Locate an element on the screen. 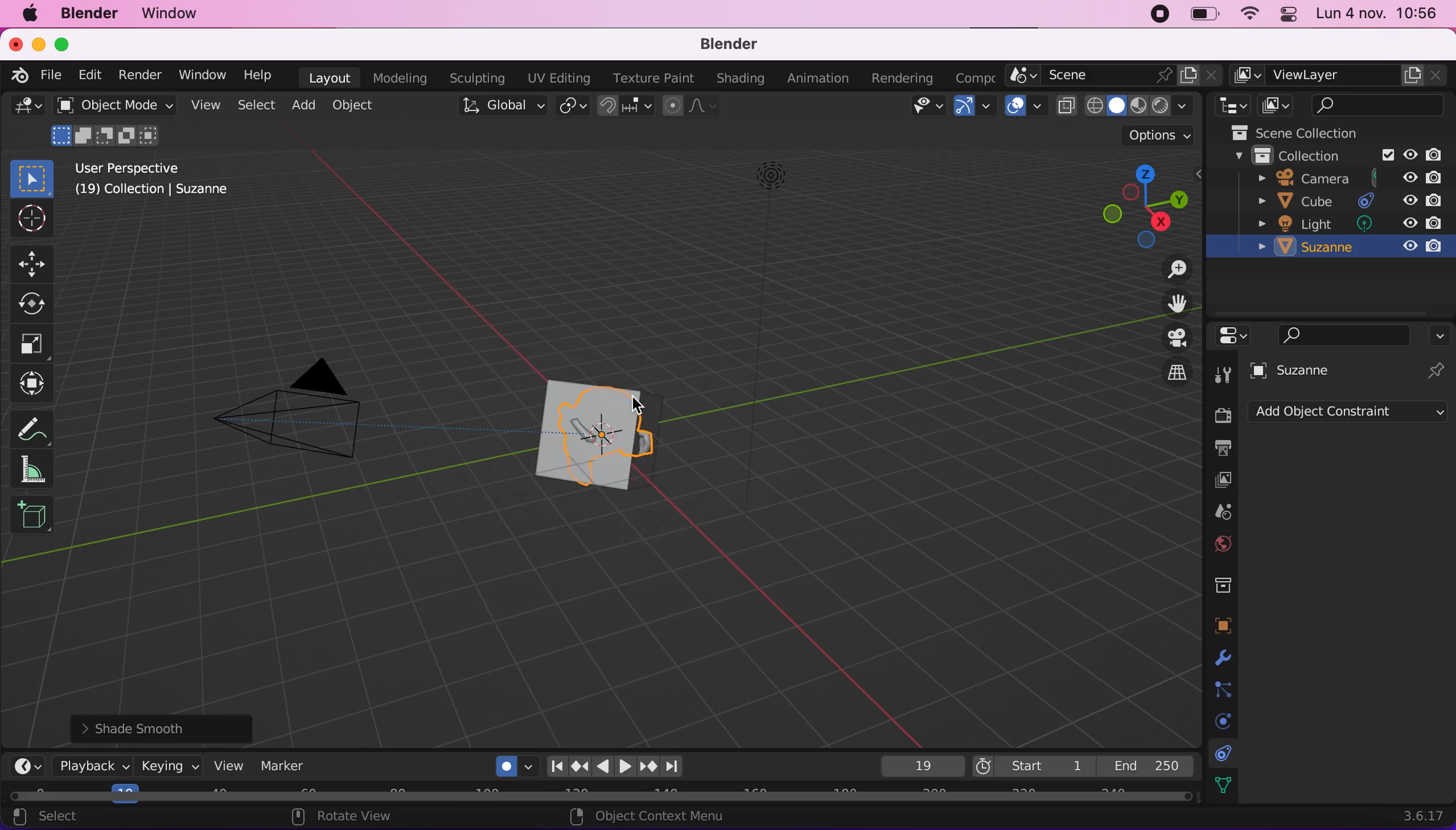  move the view is located at coordinates (1176, 303).